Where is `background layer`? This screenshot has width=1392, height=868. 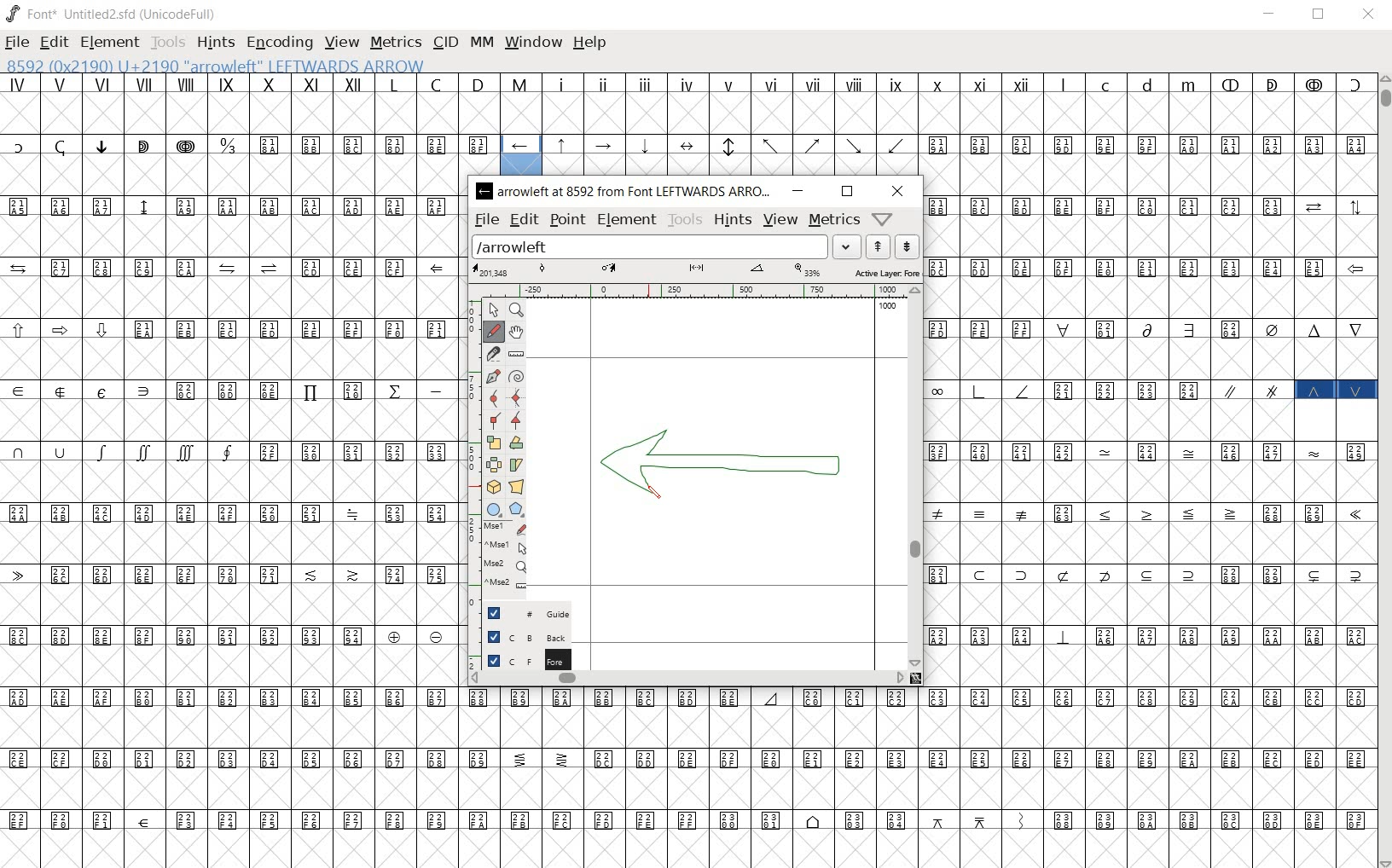 background layer is located at coordinates (522, 637).